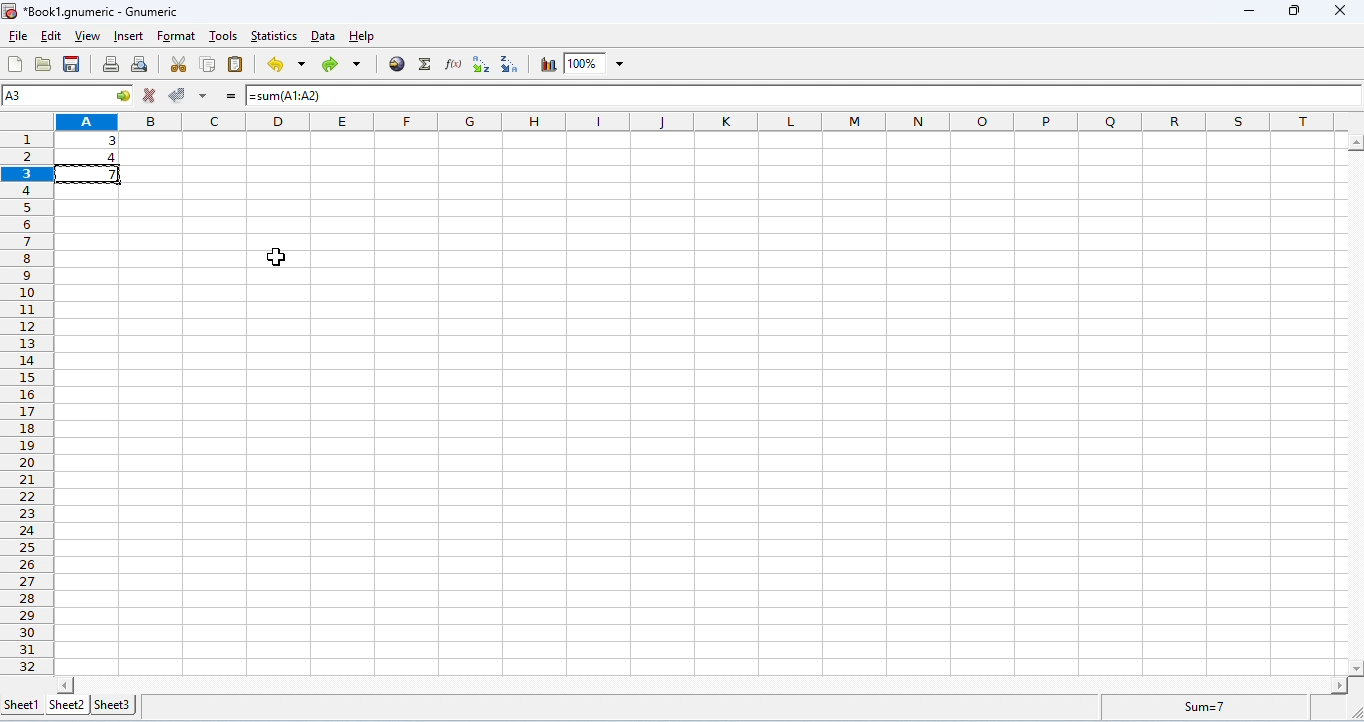 This screenshot has height=722, width=1364. Describe the element at coordinates (510, 66) in the screenshot. I see `sort descending` at that location.